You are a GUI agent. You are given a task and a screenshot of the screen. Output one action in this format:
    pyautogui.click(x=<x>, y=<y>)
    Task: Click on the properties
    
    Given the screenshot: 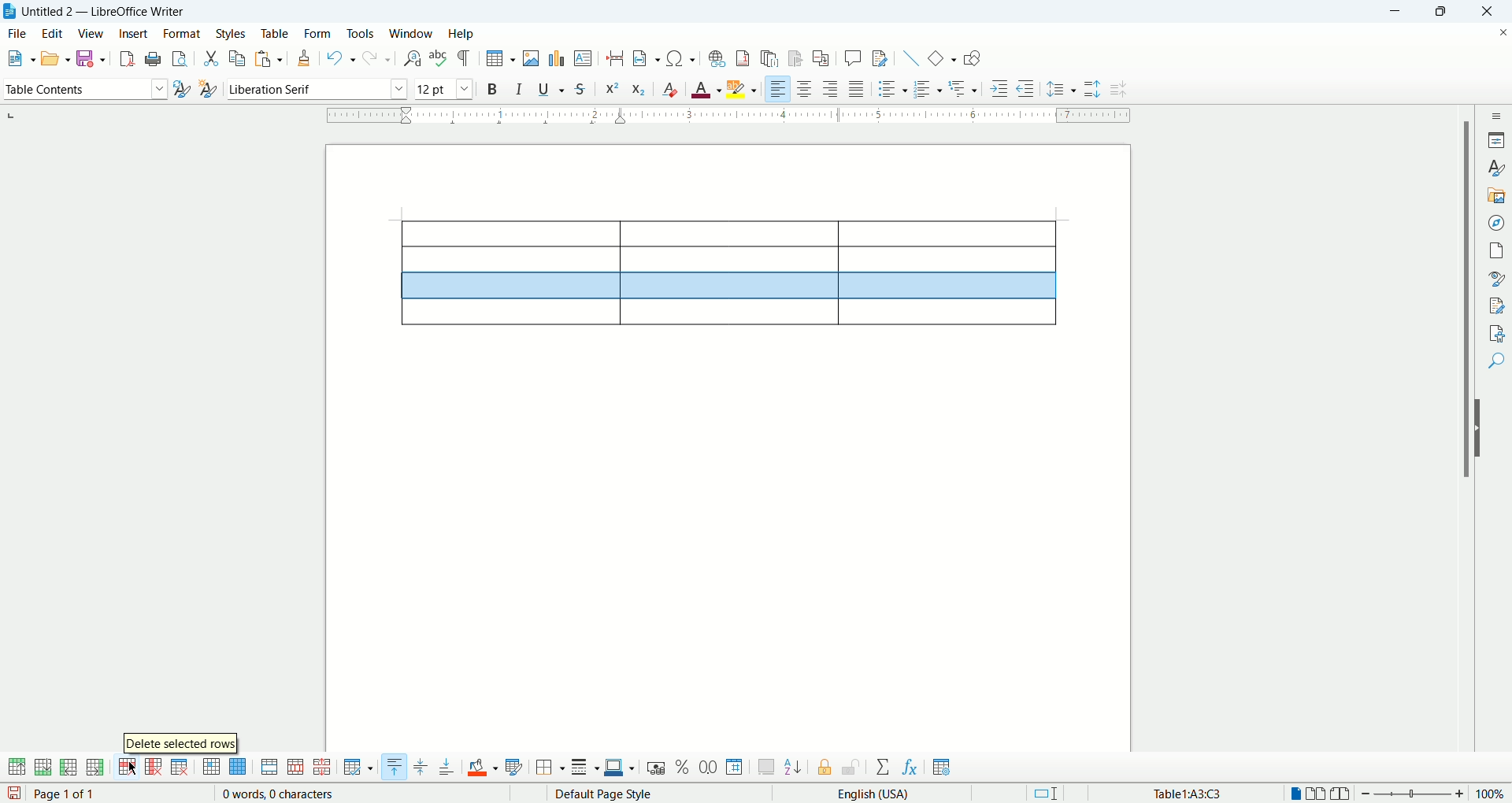 What is the action you would take?
    pyautogui.click(x=1498, y=141)
    